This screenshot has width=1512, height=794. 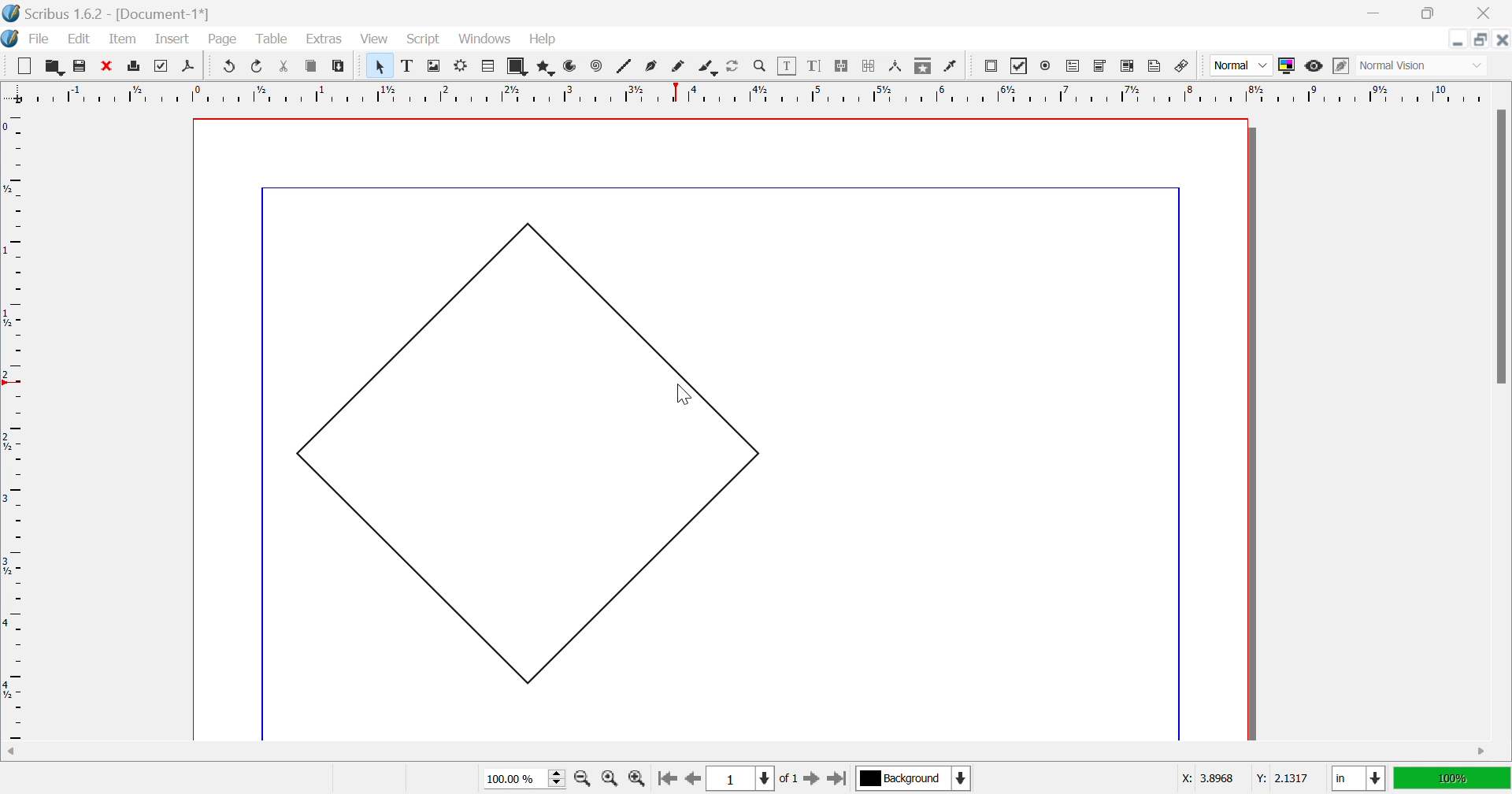 I want to click on Zoom in by the stepping value in Tools preferences, so click(x=636, y=782).